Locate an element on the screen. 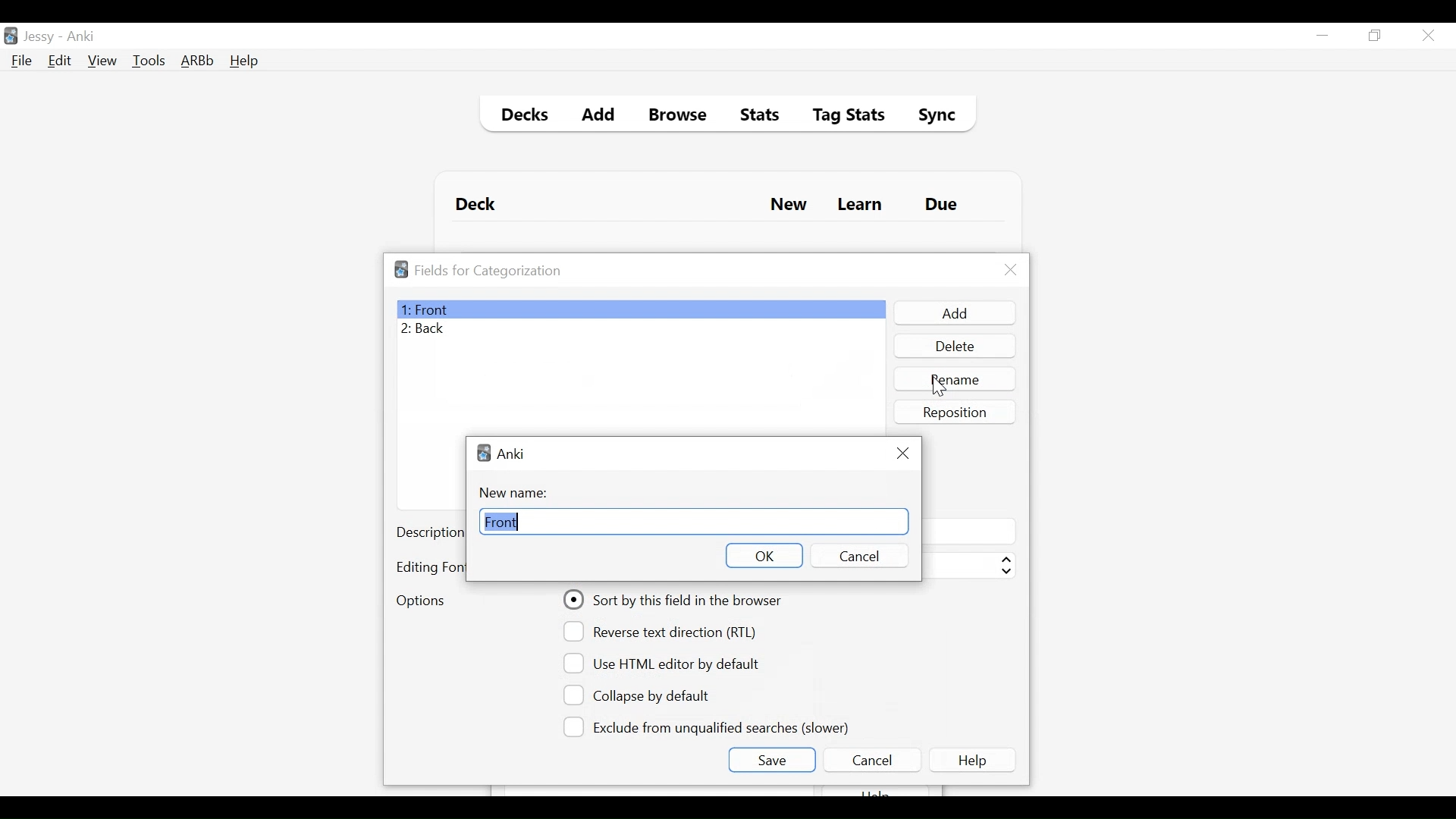 The width and height of the screenshot is (1456, 819). New Name Field is located at coordinates (693, 522).